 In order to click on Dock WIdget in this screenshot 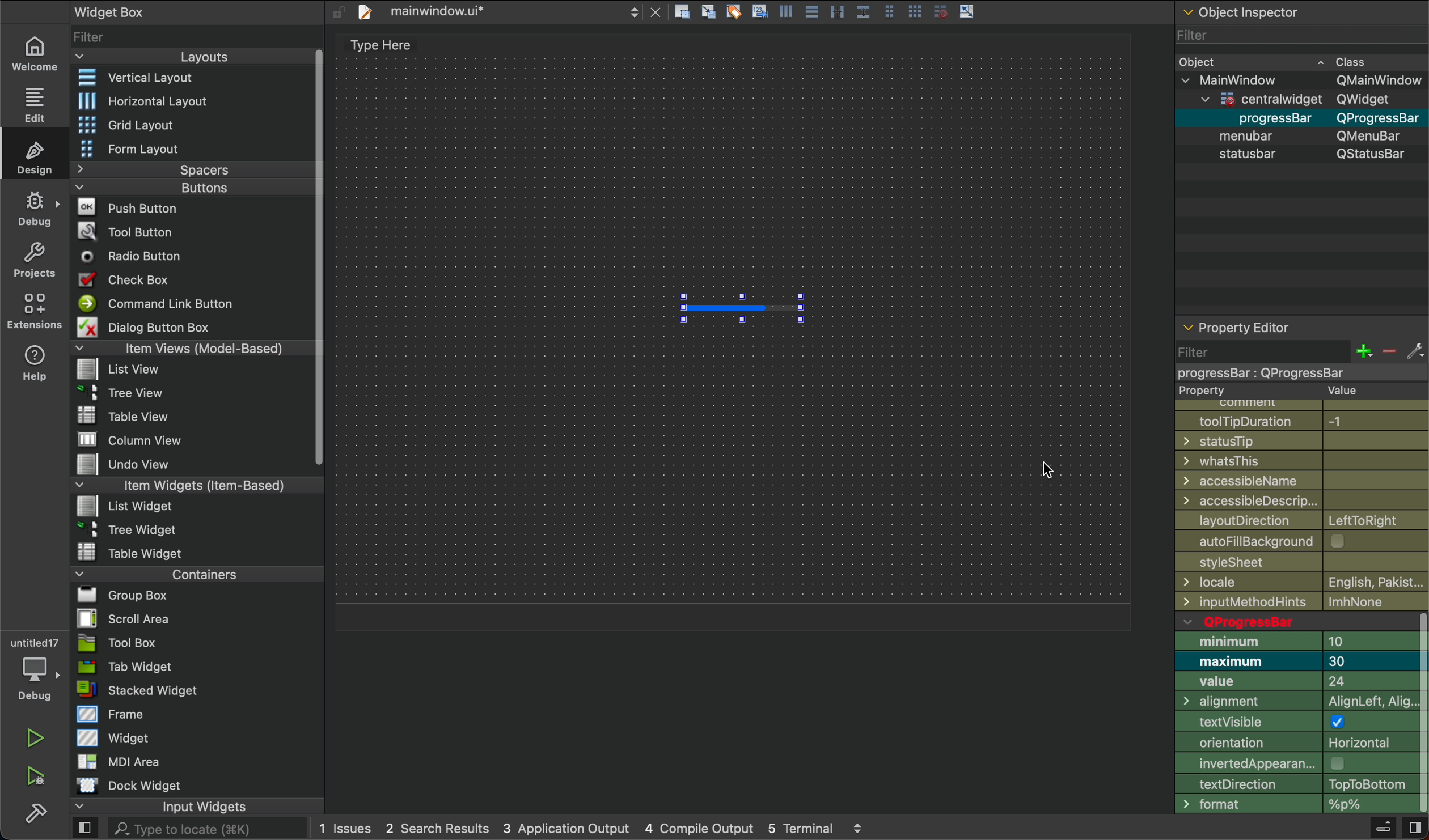, I will do `click(129, 786)`.